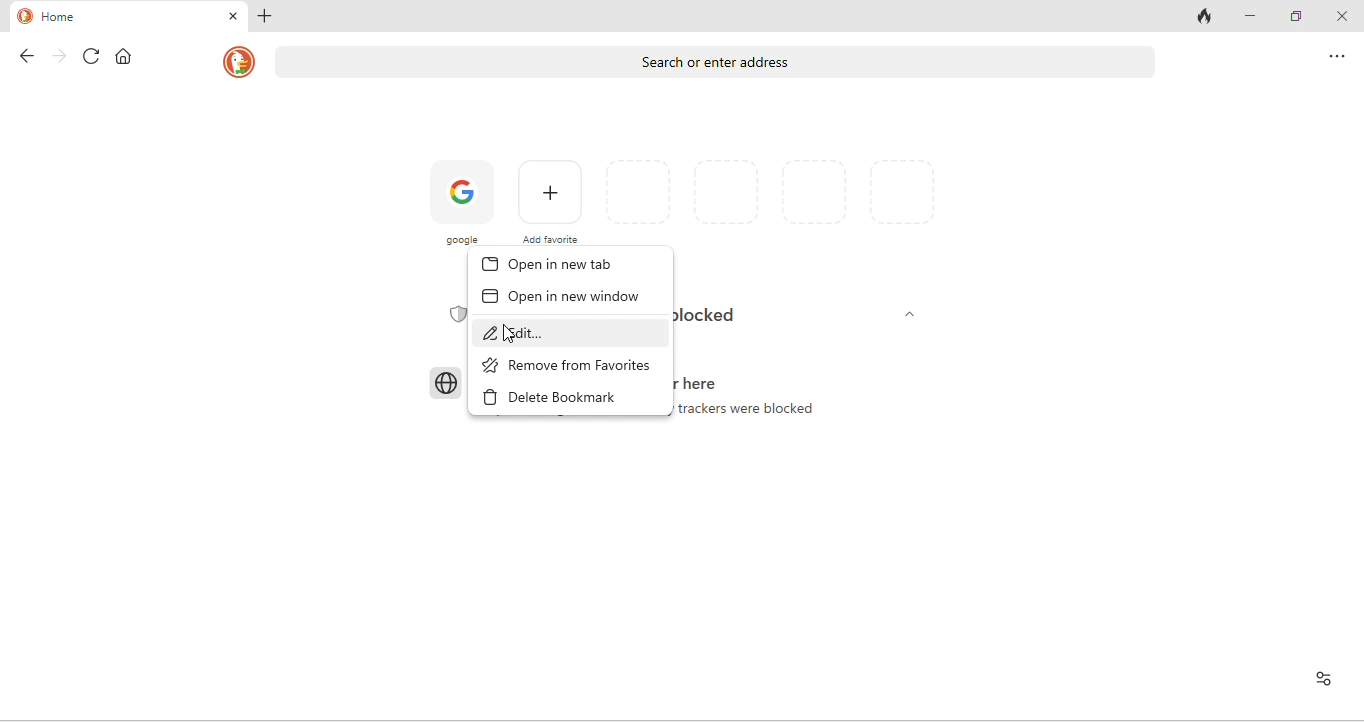 The height and width of the screenshot is (722, 1364). What do you see at coordinates (569, 265) in the screenshot?
I see `open in new tab` at bounding box center [569, 265].